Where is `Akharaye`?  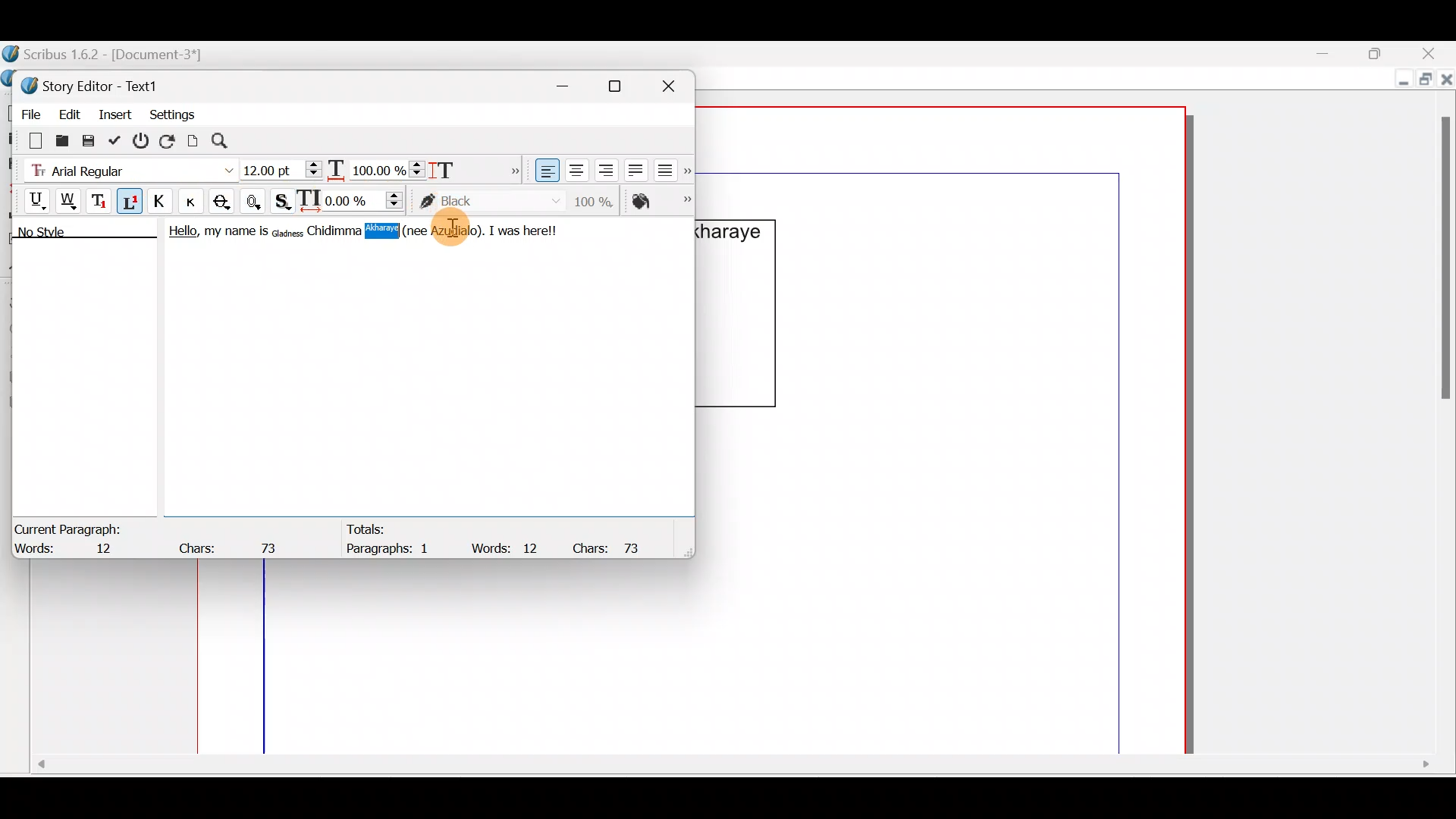 Akharaye is located at coordinates (391, 231).